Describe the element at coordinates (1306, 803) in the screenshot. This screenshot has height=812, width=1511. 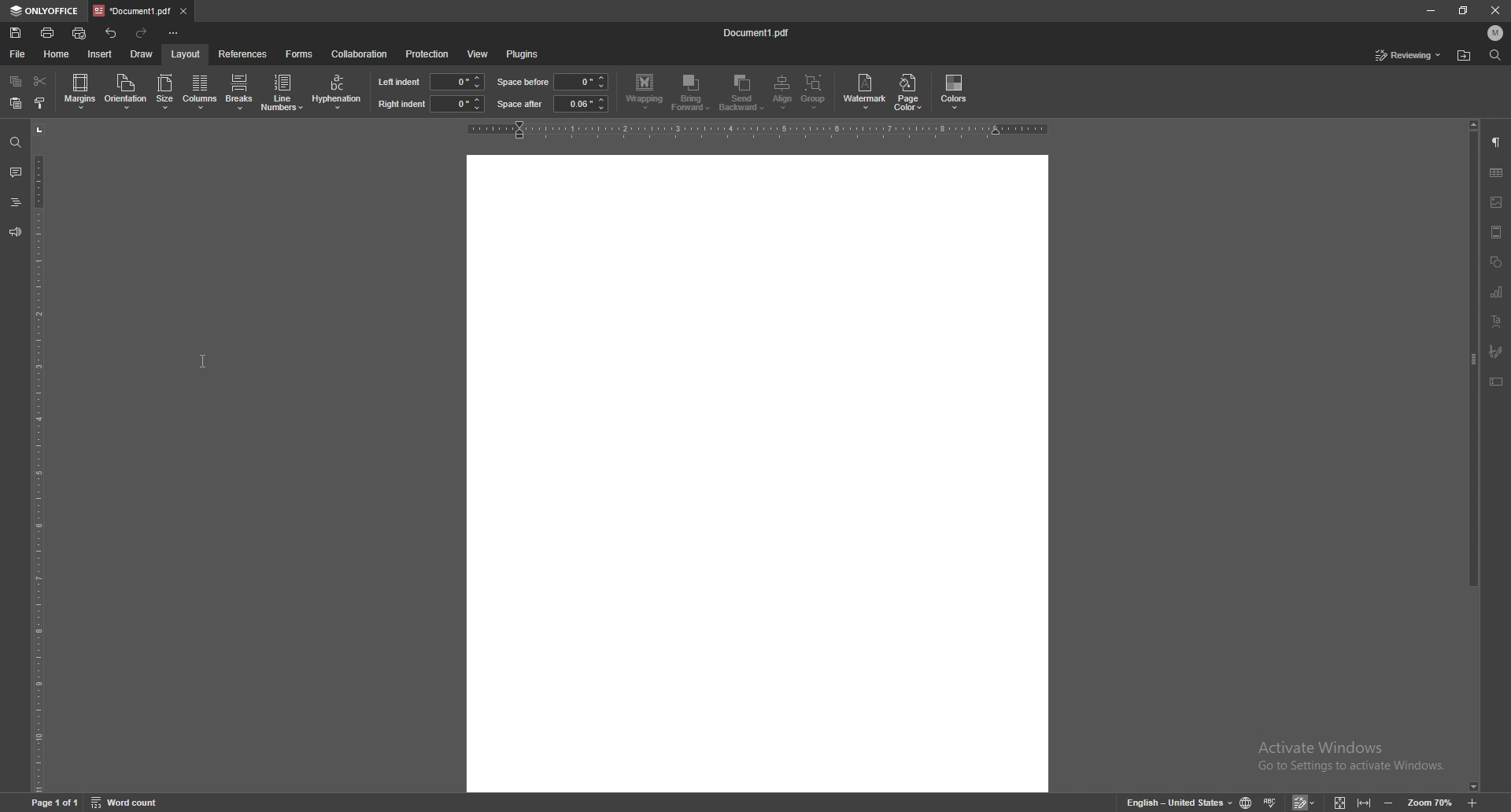
I see `track changes` at that location.